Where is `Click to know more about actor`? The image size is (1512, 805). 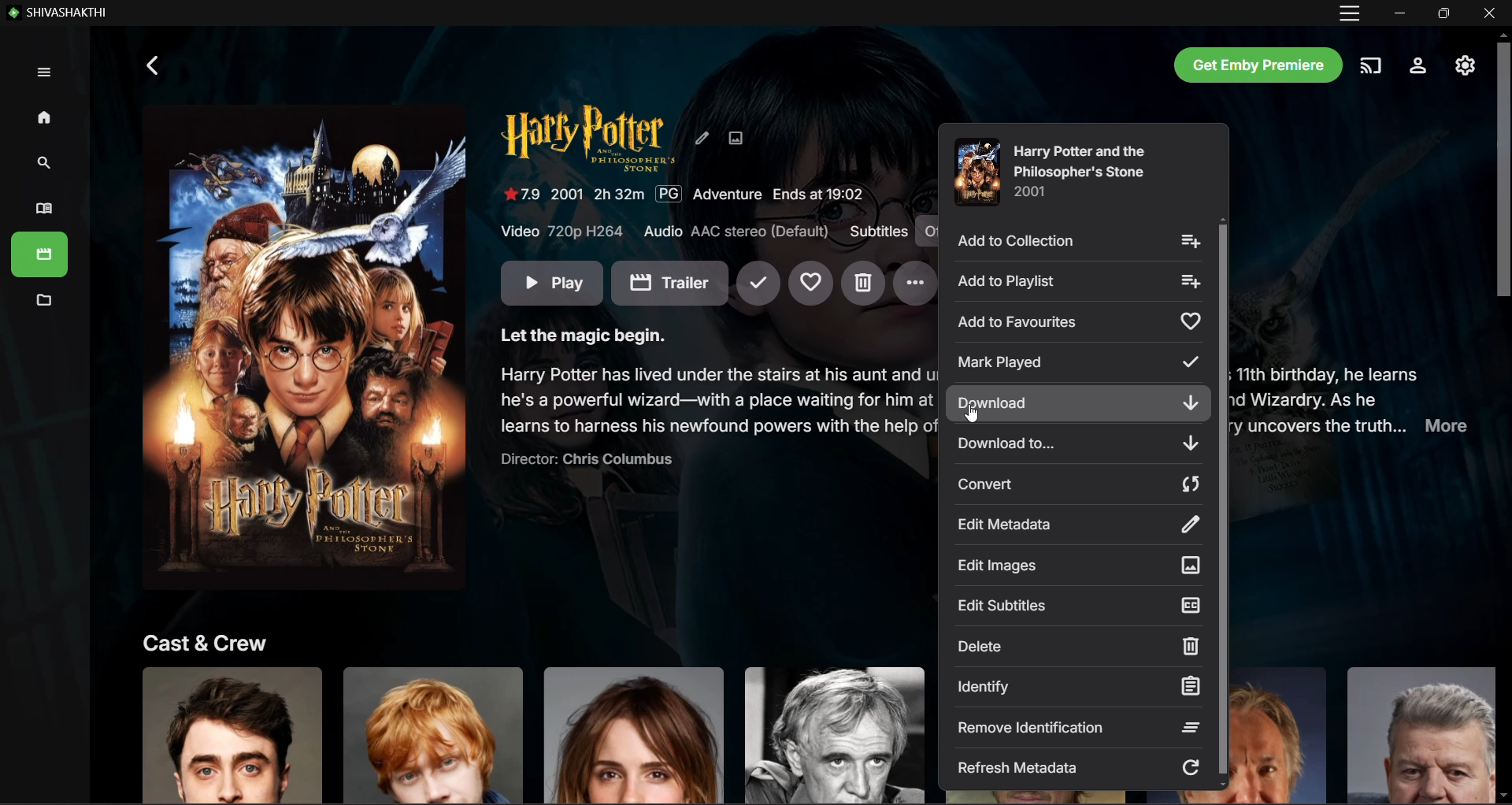
Click to know more about actor is located at coordinates (232, 734).